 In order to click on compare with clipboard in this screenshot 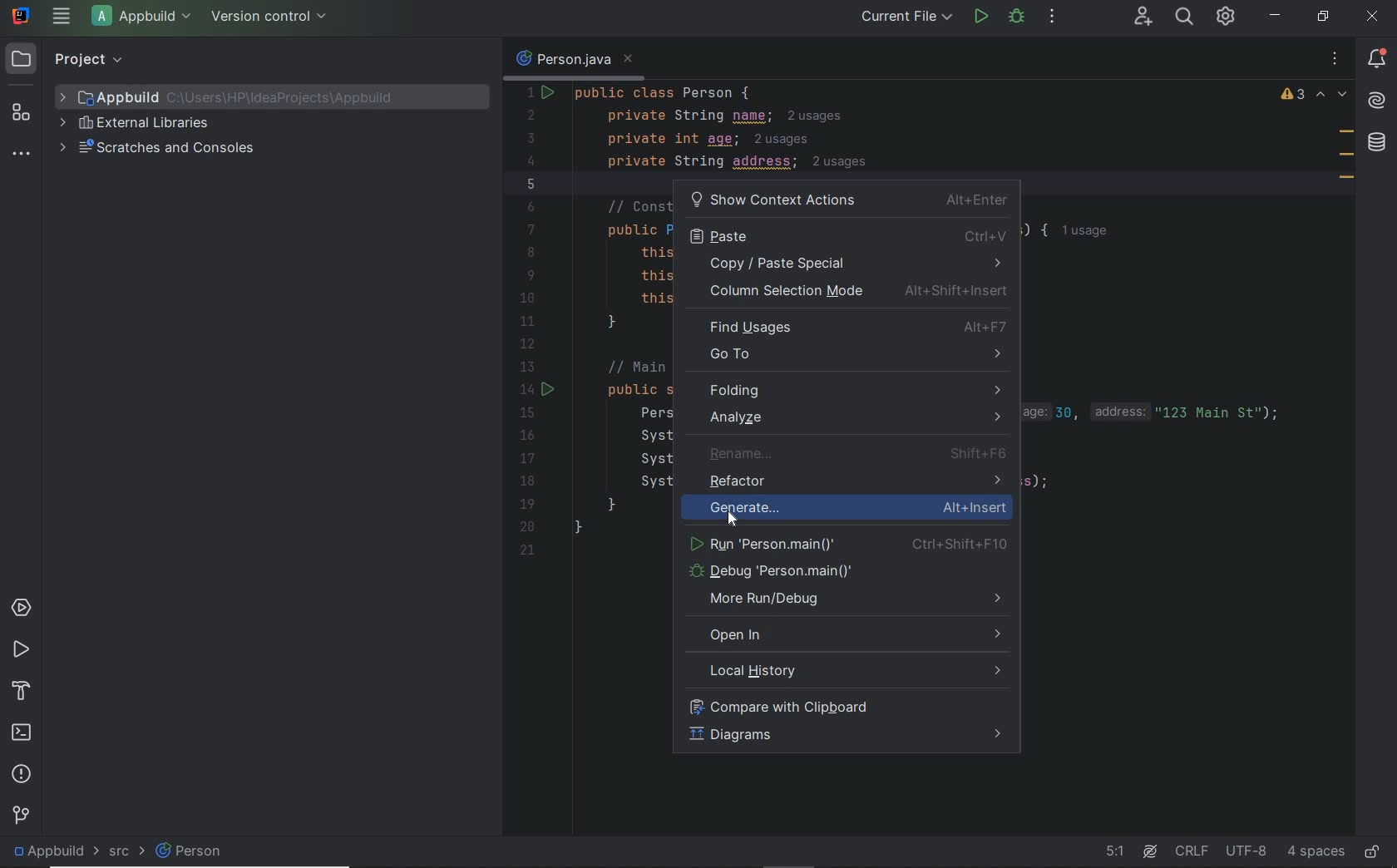, I will do `click(842, 705)`.